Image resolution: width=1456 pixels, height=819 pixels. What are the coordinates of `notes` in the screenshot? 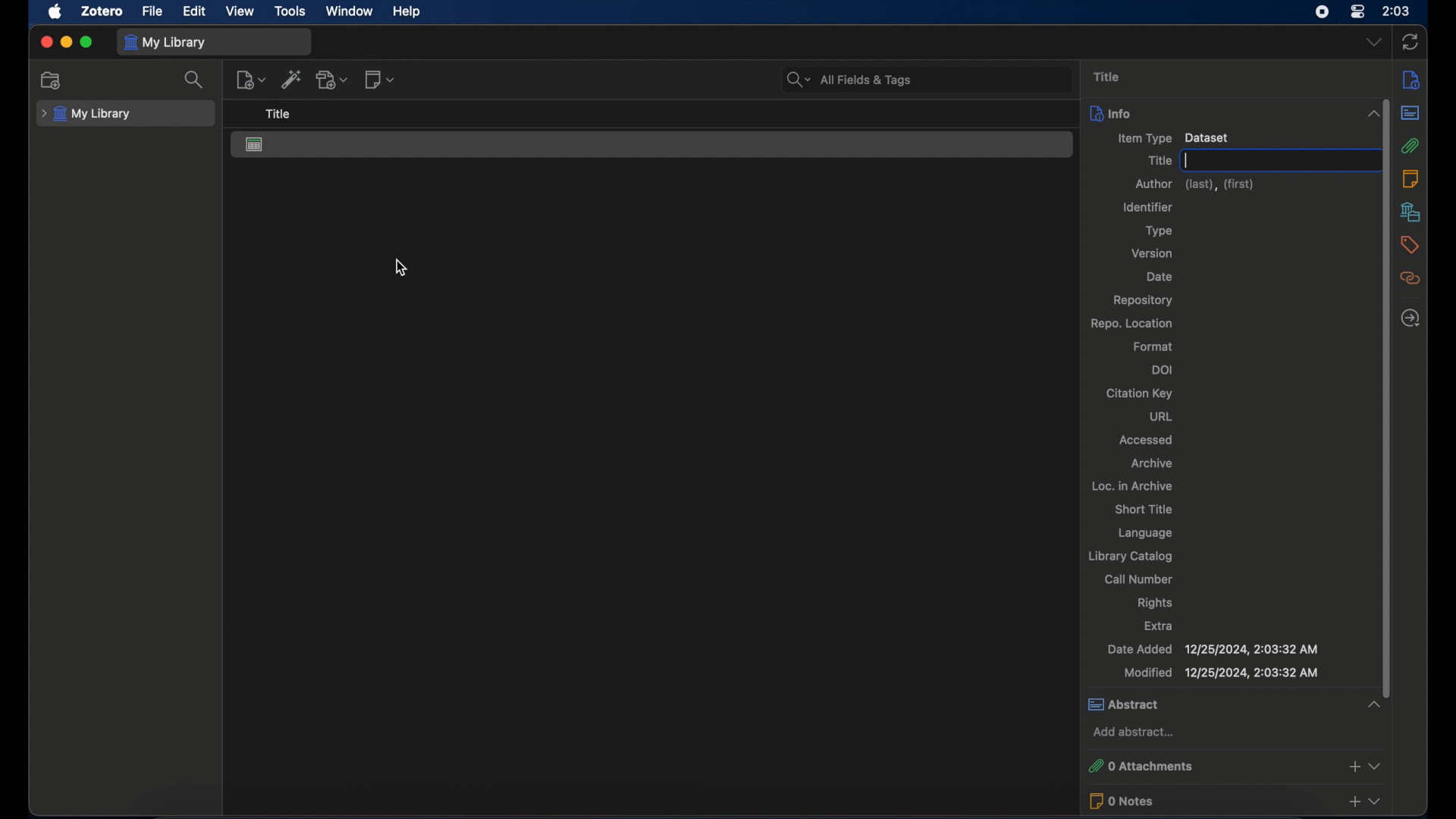 It's located at (1410, 178).